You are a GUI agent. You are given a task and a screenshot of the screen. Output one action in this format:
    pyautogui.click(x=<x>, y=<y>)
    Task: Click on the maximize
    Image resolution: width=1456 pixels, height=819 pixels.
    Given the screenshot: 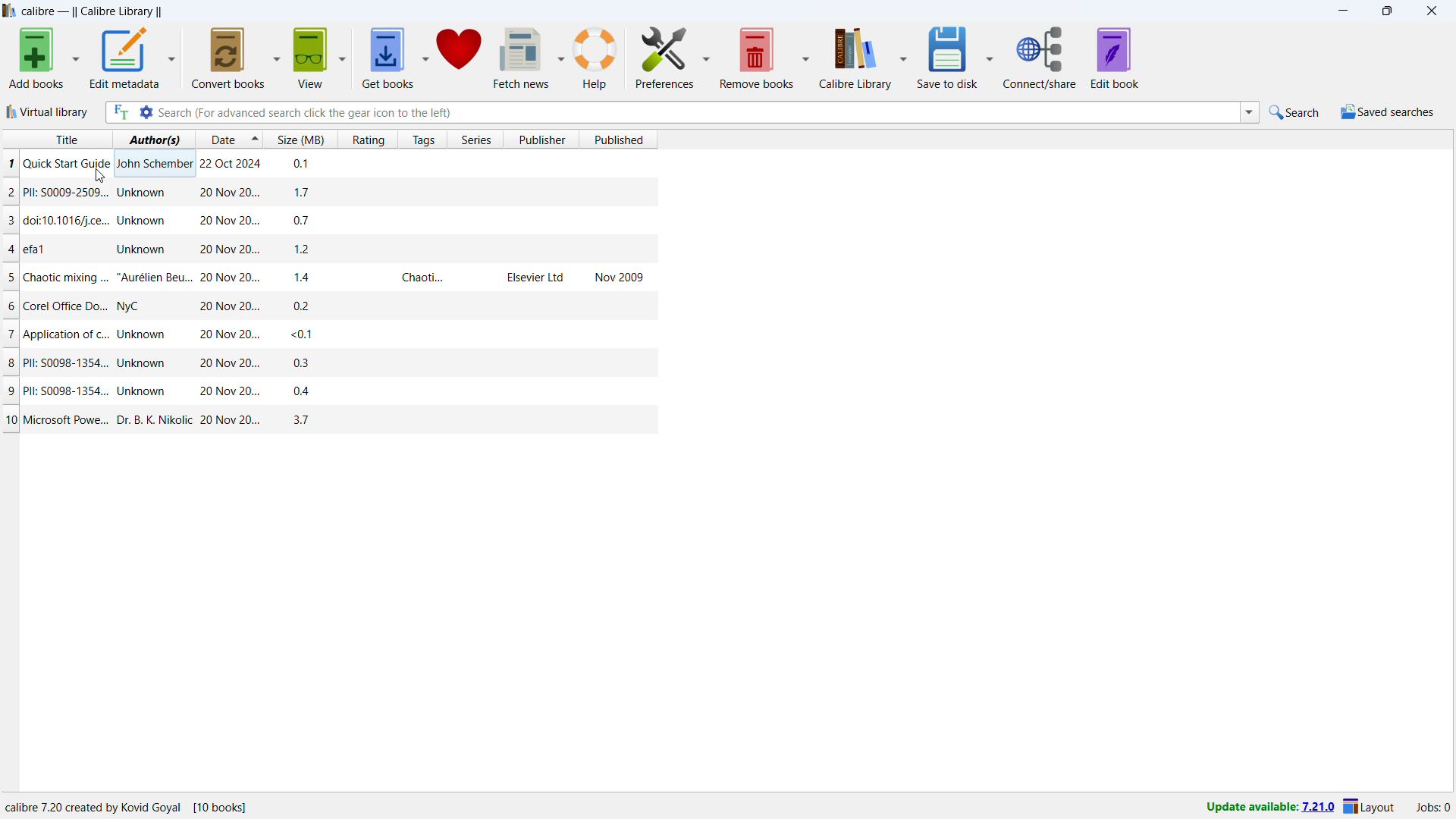 What is the action you would take?
    pyautogui.click(x=1391, y=11)
    